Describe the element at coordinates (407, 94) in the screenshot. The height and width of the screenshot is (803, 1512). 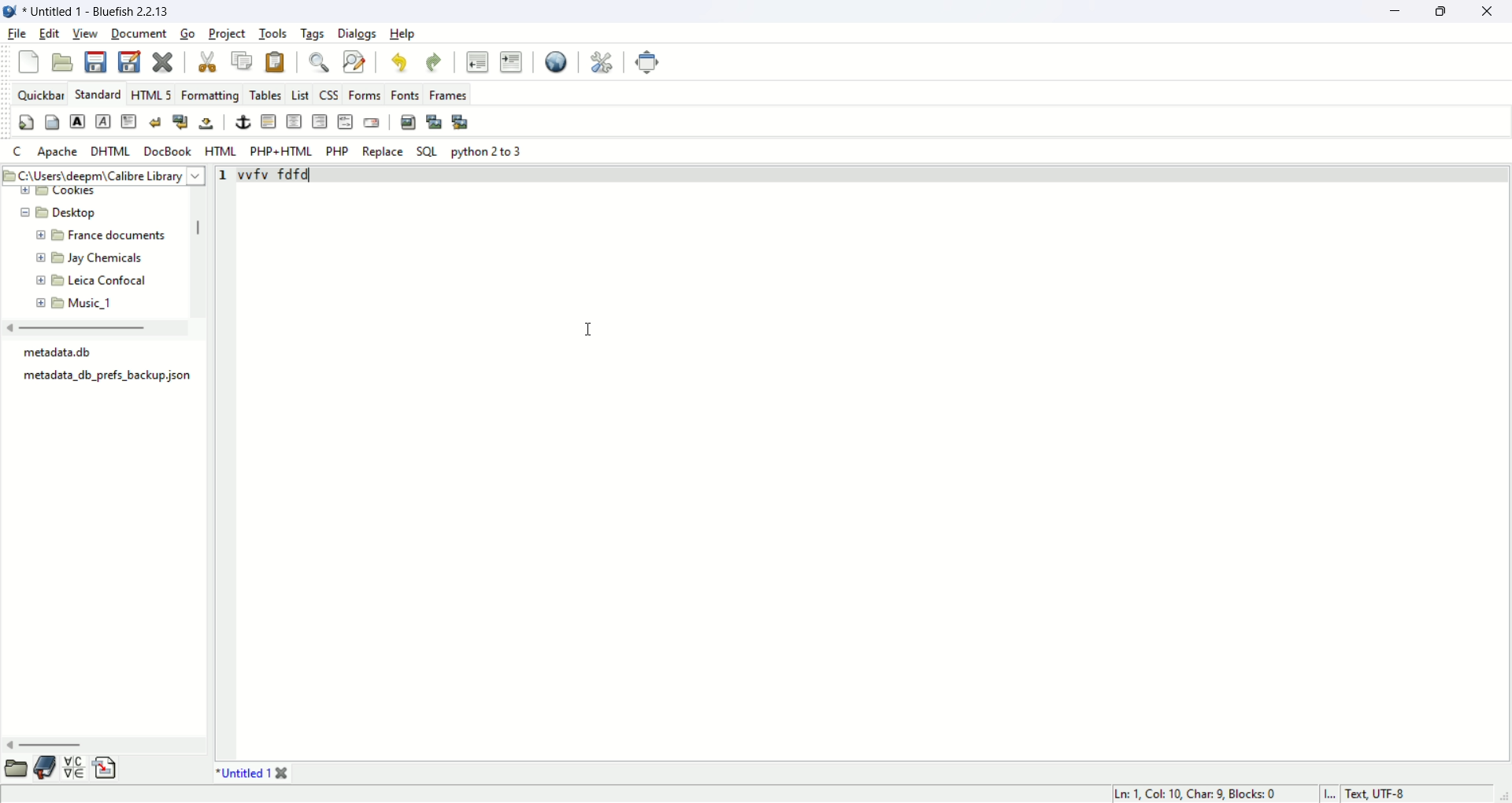
I see `fonts` at that location.